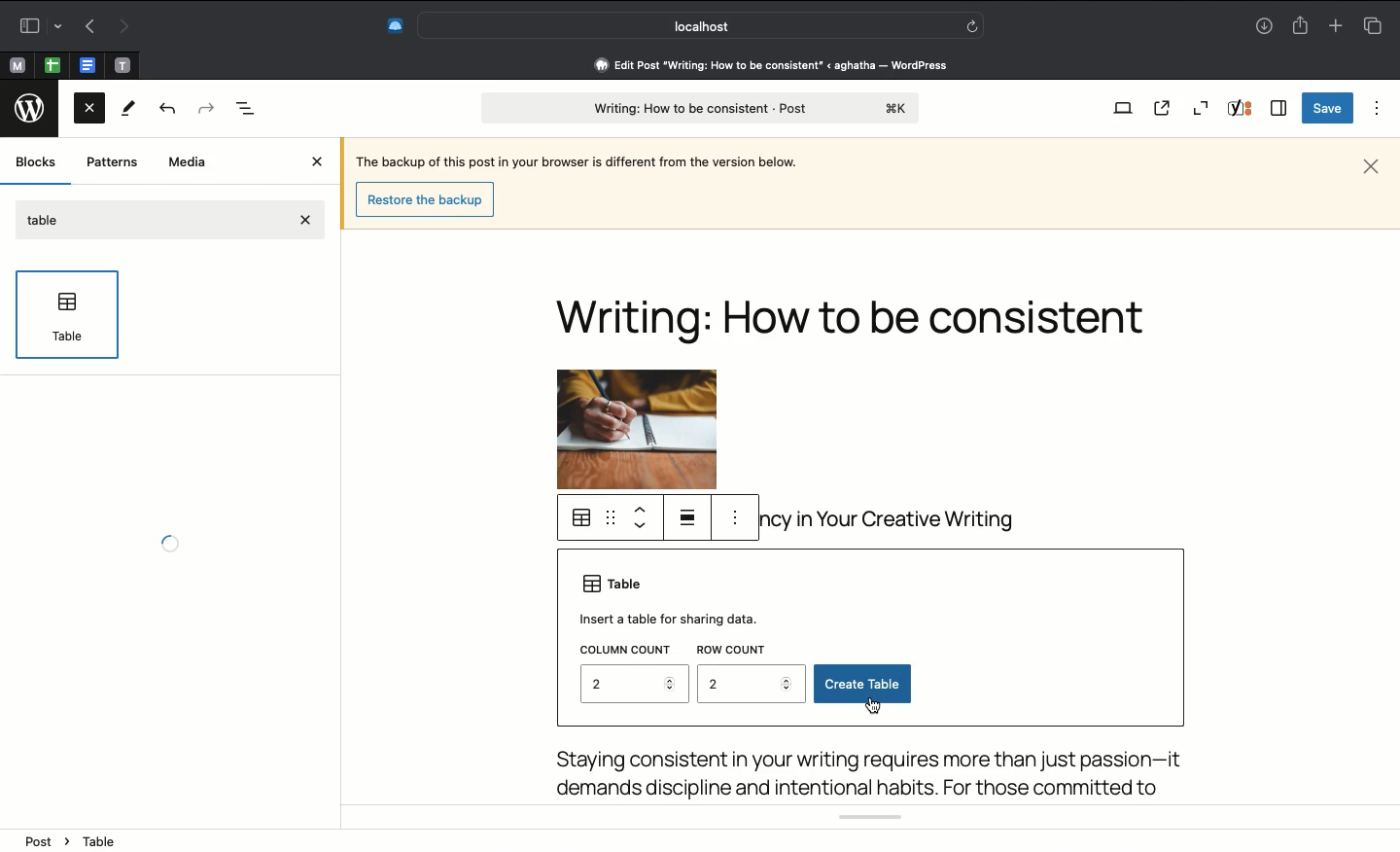 This screenshot has width=1400, height=852. What do you see at coordinates (575, 160) in the screenshot?
I see `Sentence about backup ` at bounding box center [575, 160].